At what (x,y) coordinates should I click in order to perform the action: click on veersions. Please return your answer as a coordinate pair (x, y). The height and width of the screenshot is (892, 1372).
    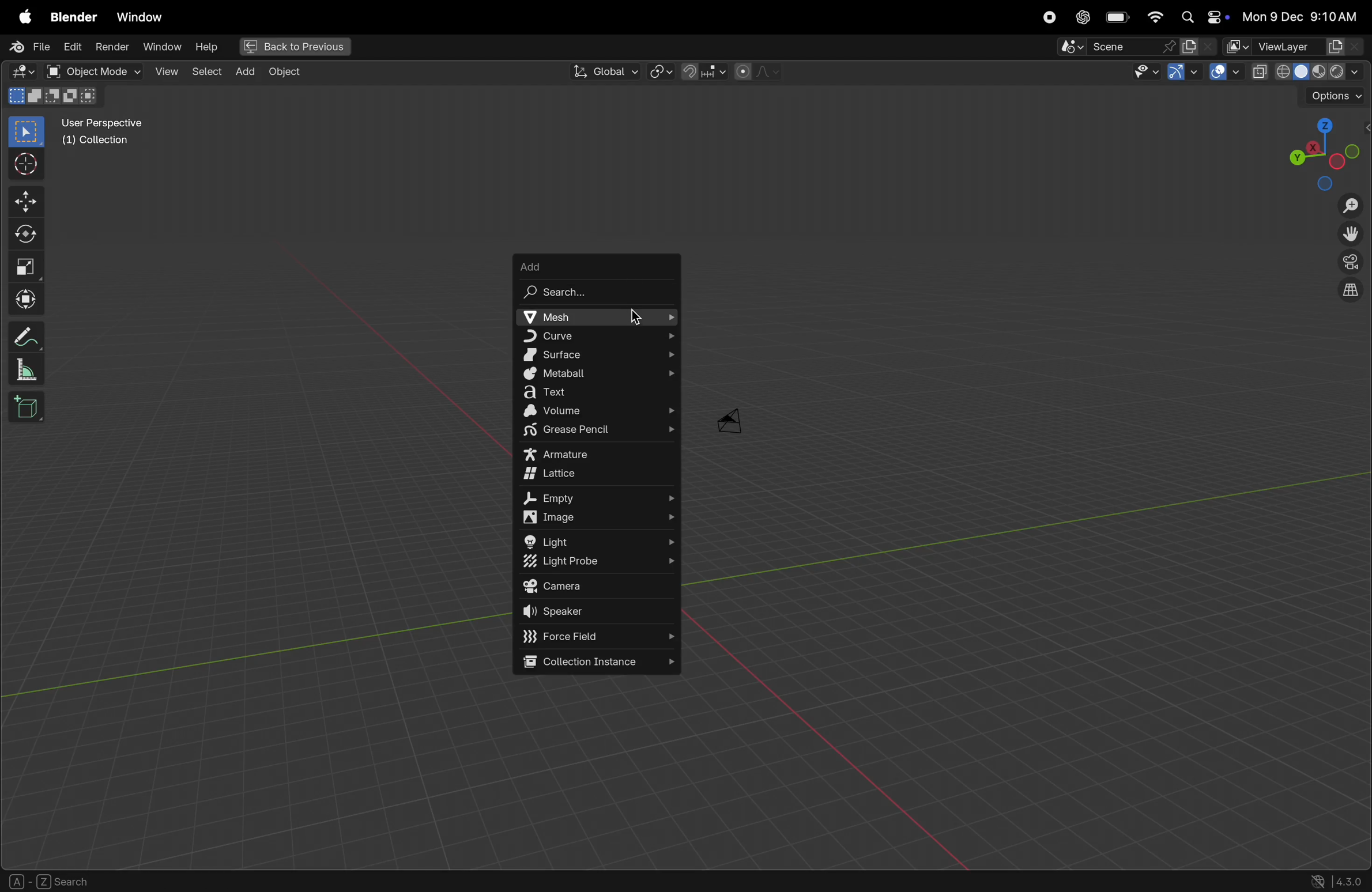
    Looking at the image, I should click on (1337, 880).